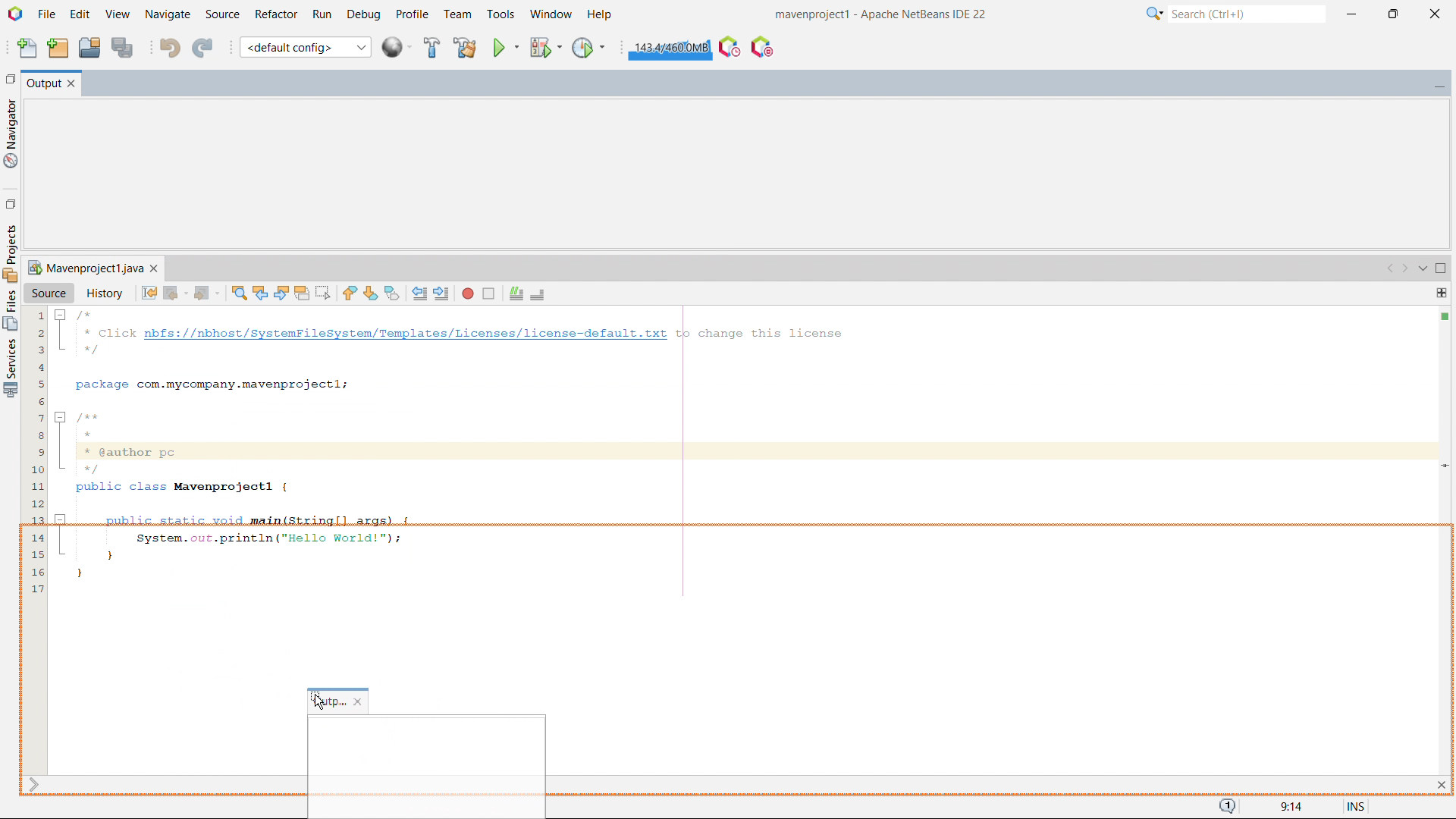 The image size is (1456, 819). Describe the element at coordinates (305, 46) in the screenshot. I see `set project configuration` at that location.